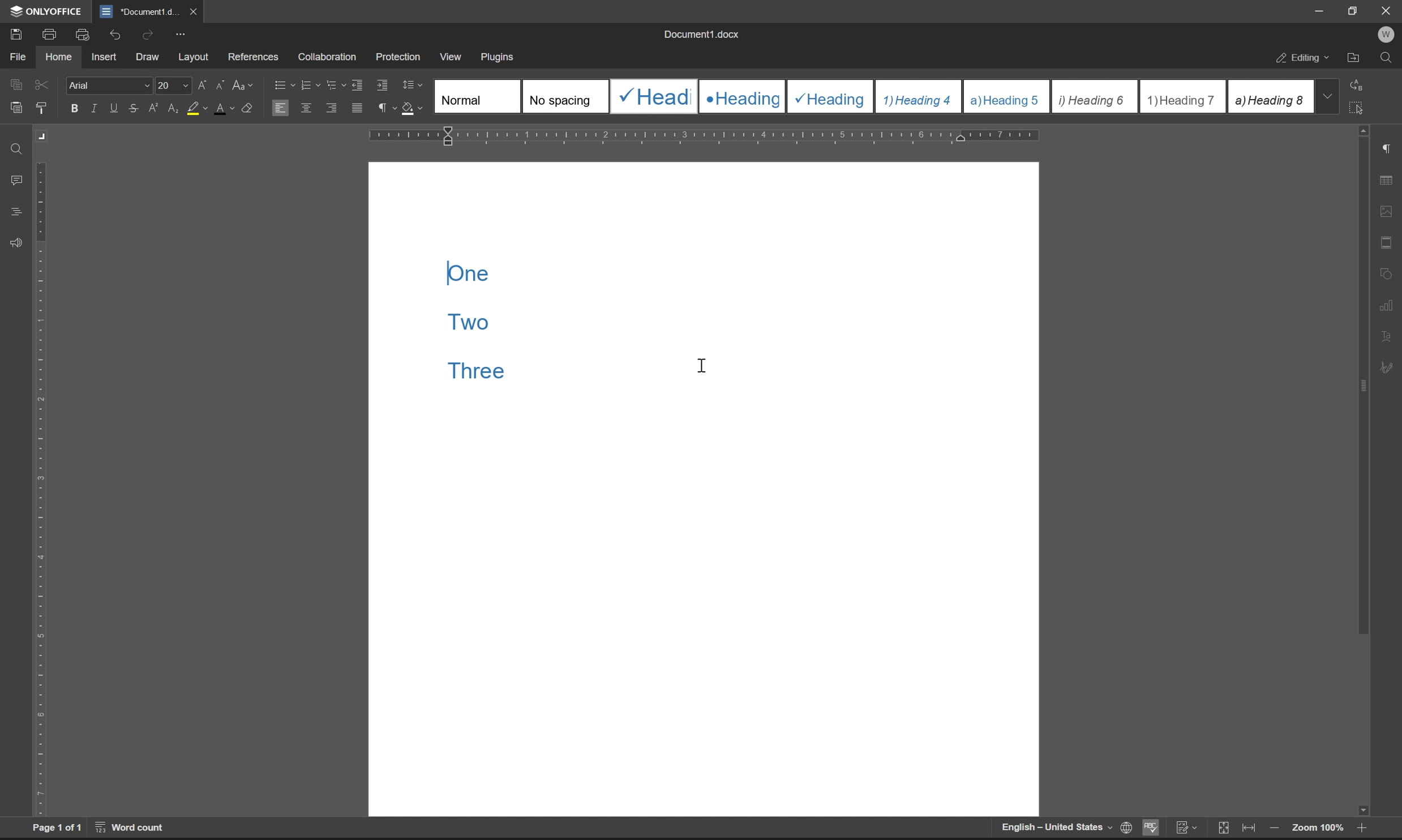 This screenshot has height=840, width=1402. Describe the element at coordinates (131, 827) in the screenshot. I see `word count` at that location.